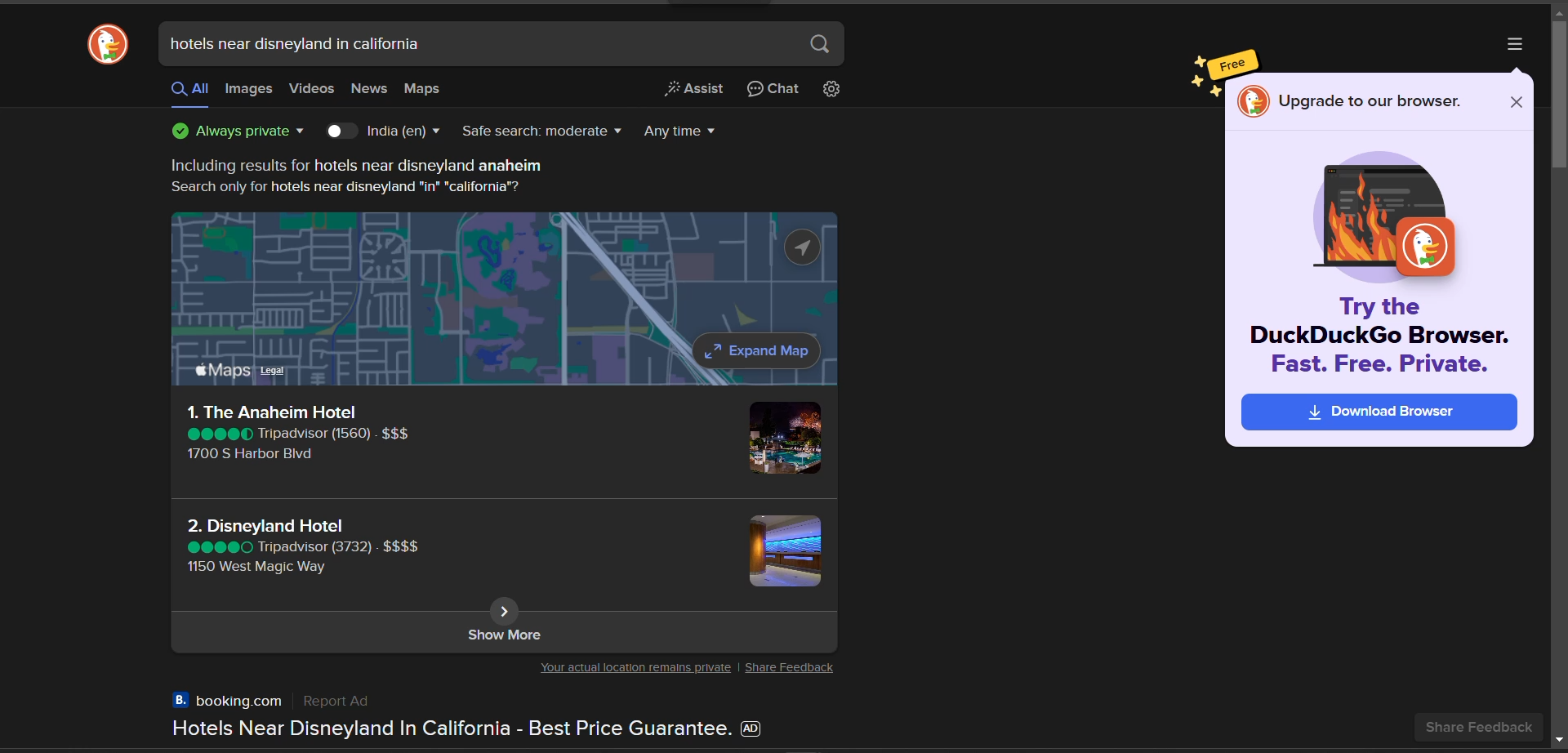 Image resolution: width=1568 pixels, height=753 pixels. Describe the element at coordinates (1514, 102) in the screenshot. I see `close` at that location.